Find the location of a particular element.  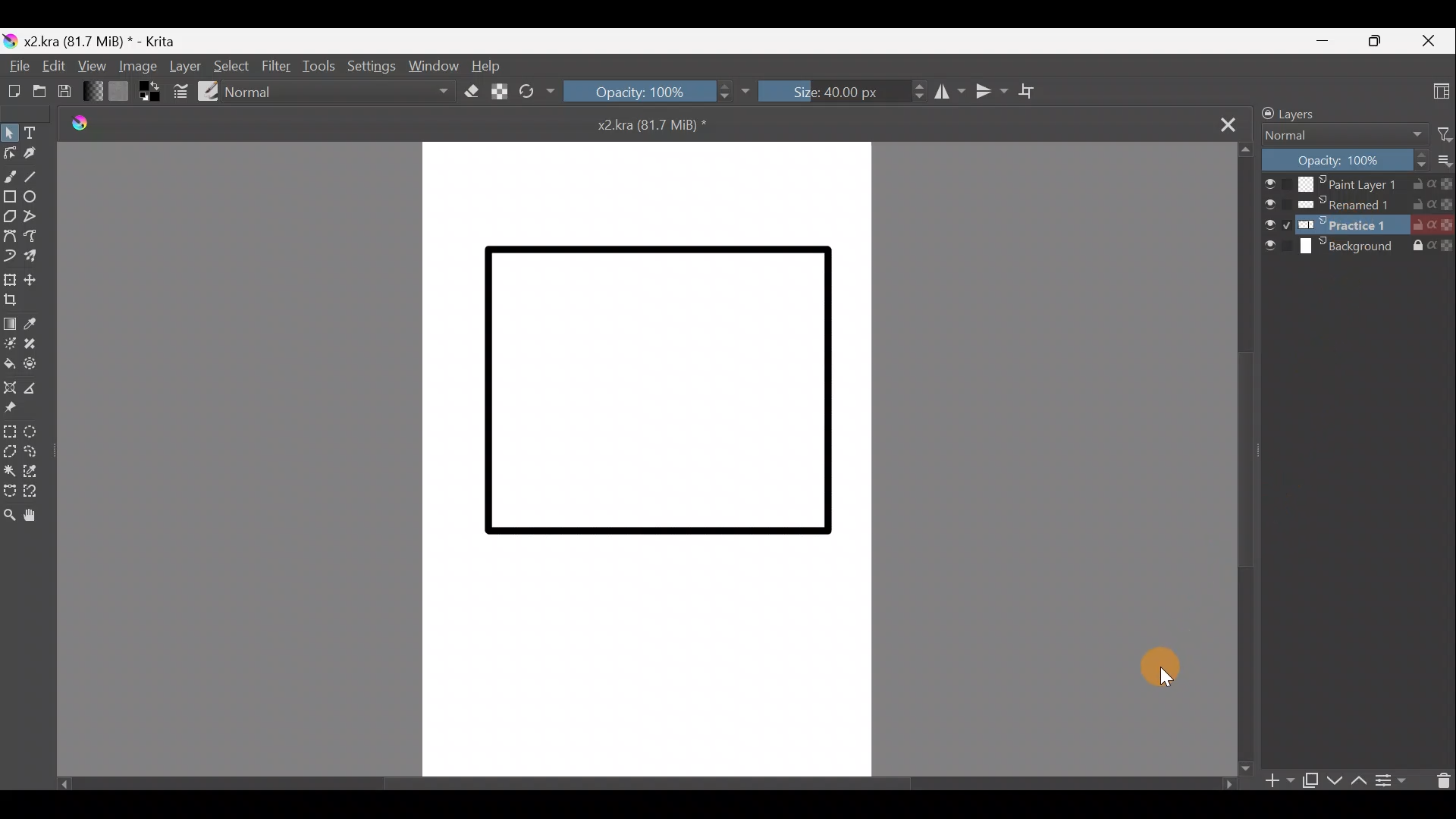

Opacity: 100% is located at coordinates (1345, 159).